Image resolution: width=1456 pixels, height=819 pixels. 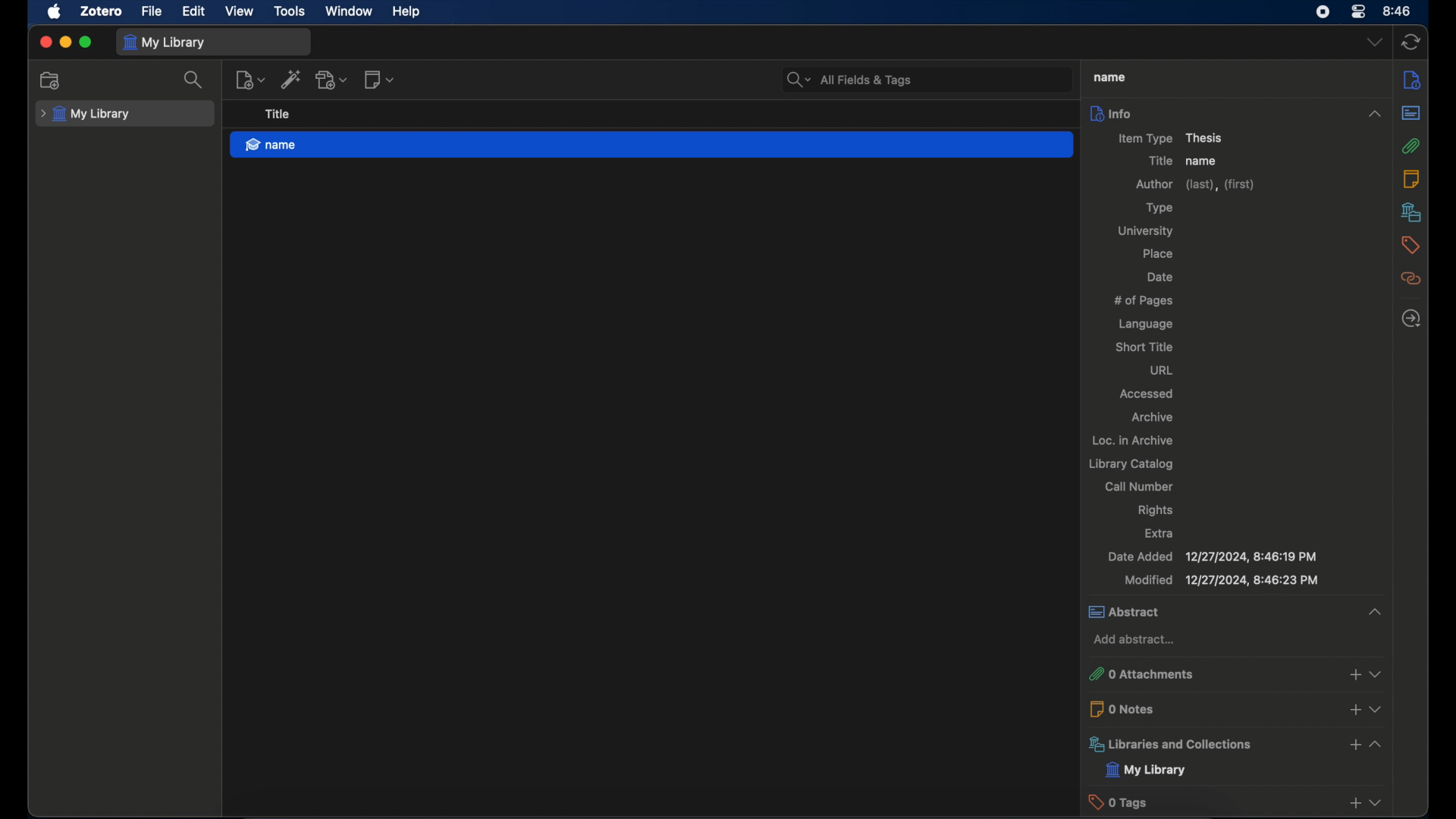 What do you see at coordinates (195, 80) in the screenshot?
I see `search` at bounding box center [195, 80].